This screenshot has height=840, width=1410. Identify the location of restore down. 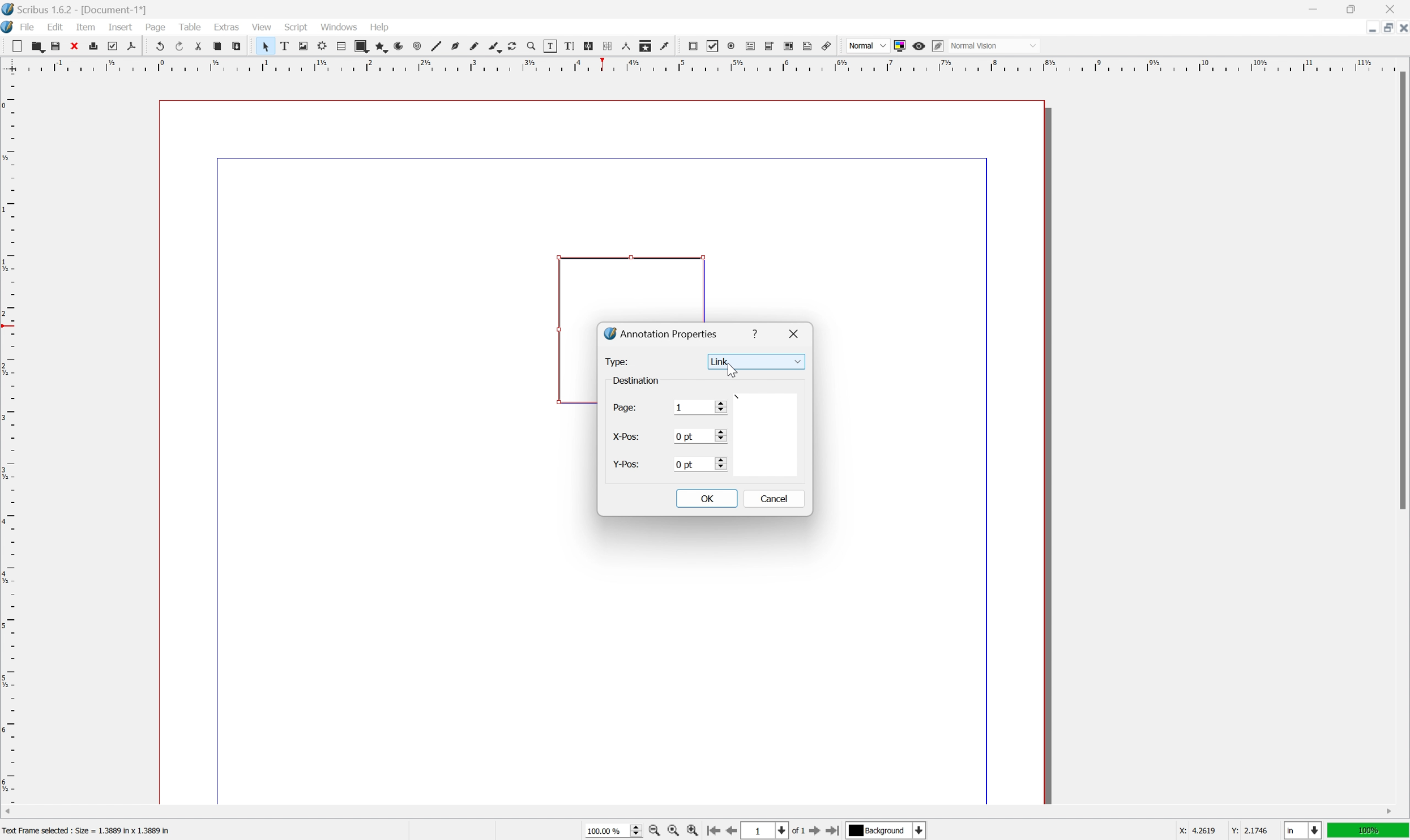
(1353, 8).